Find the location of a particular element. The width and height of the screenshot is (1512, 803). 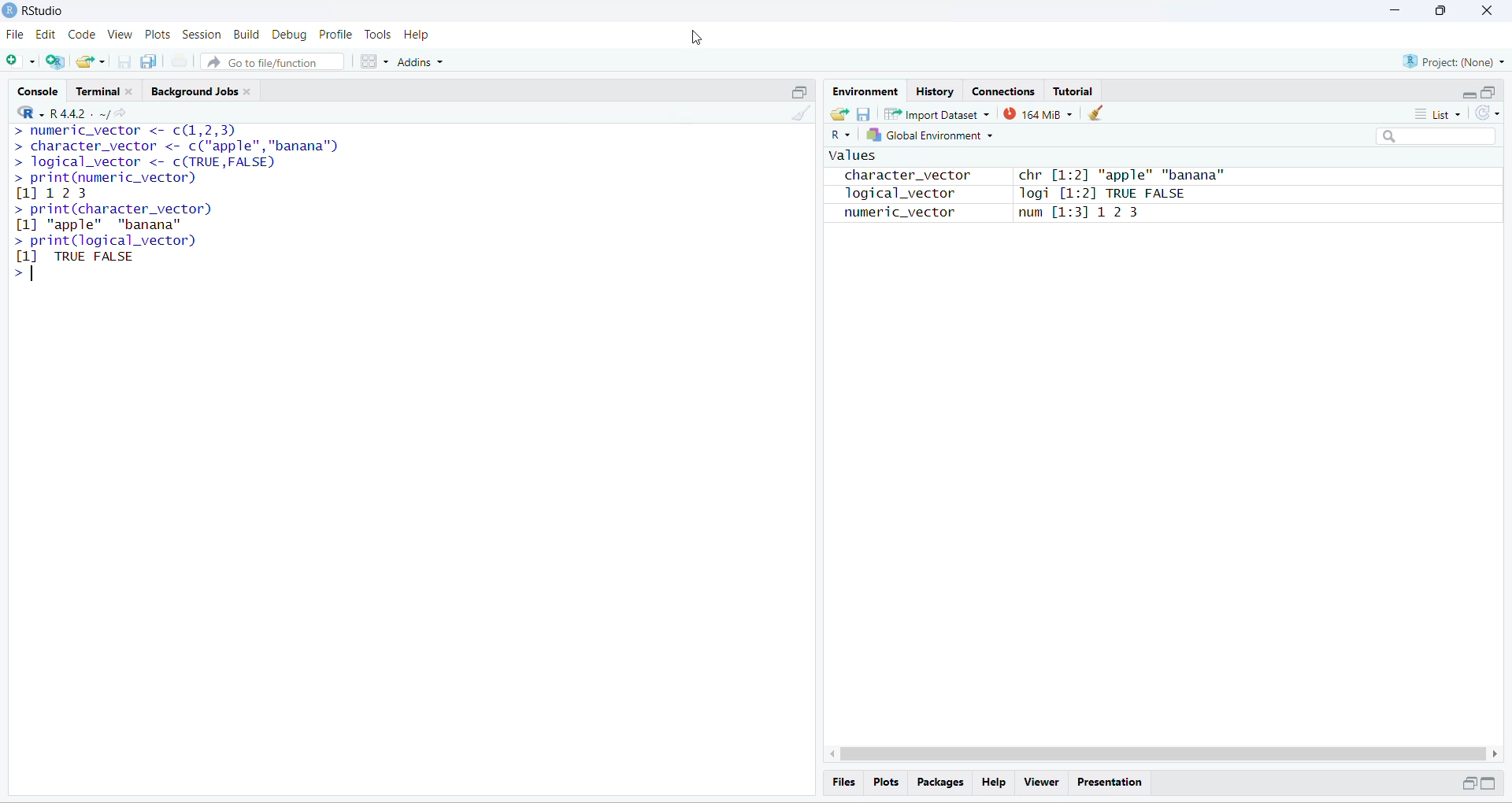

Help is located at coordinates (418, 35).